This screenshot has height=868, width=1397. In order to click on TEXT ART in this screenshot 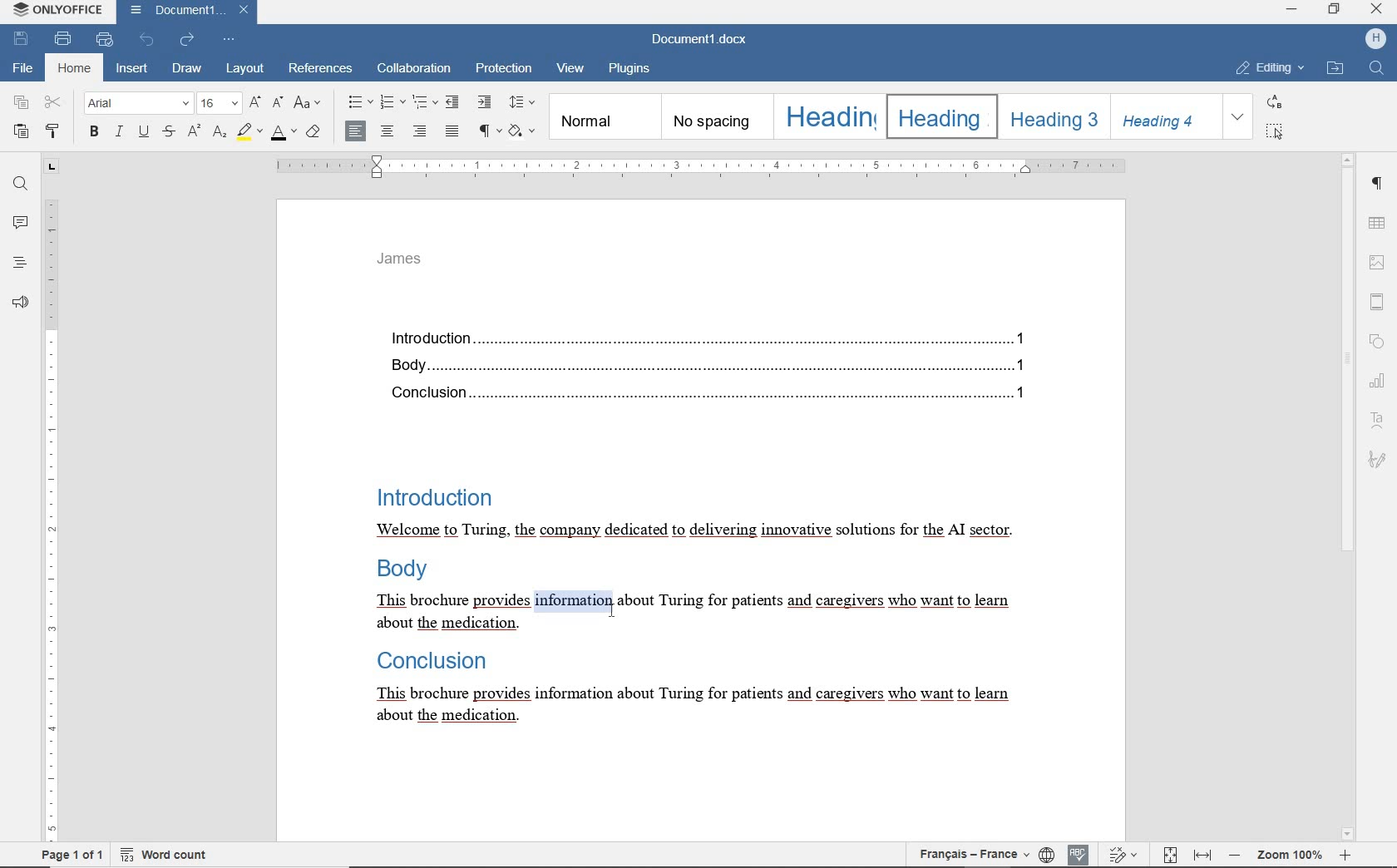, I will do `click(1378, 419)`.